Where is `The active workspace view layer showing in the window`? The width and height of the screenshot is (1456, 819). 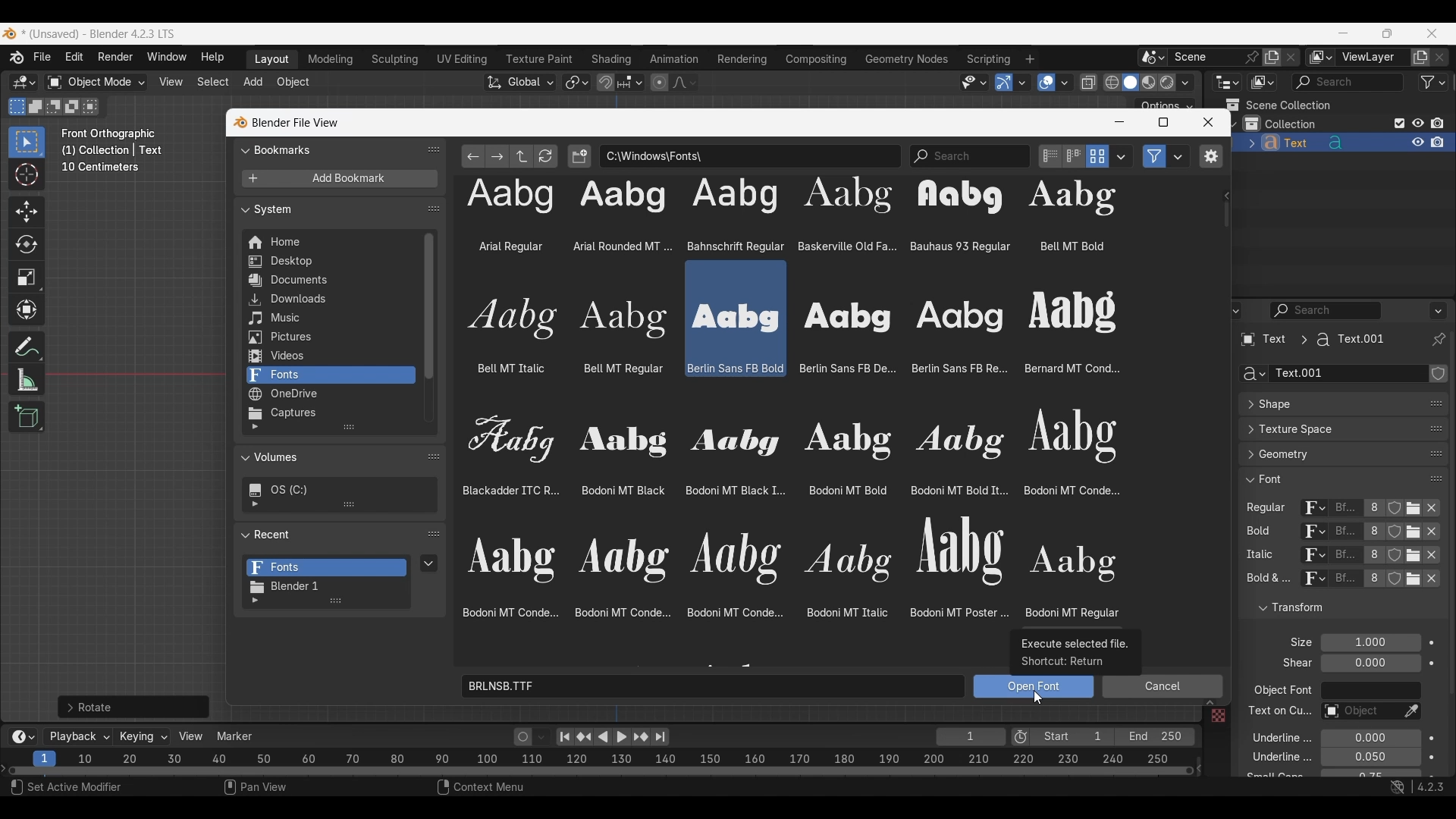
The active workspace view layer showing in the window is located at coordinates (1321, 57).